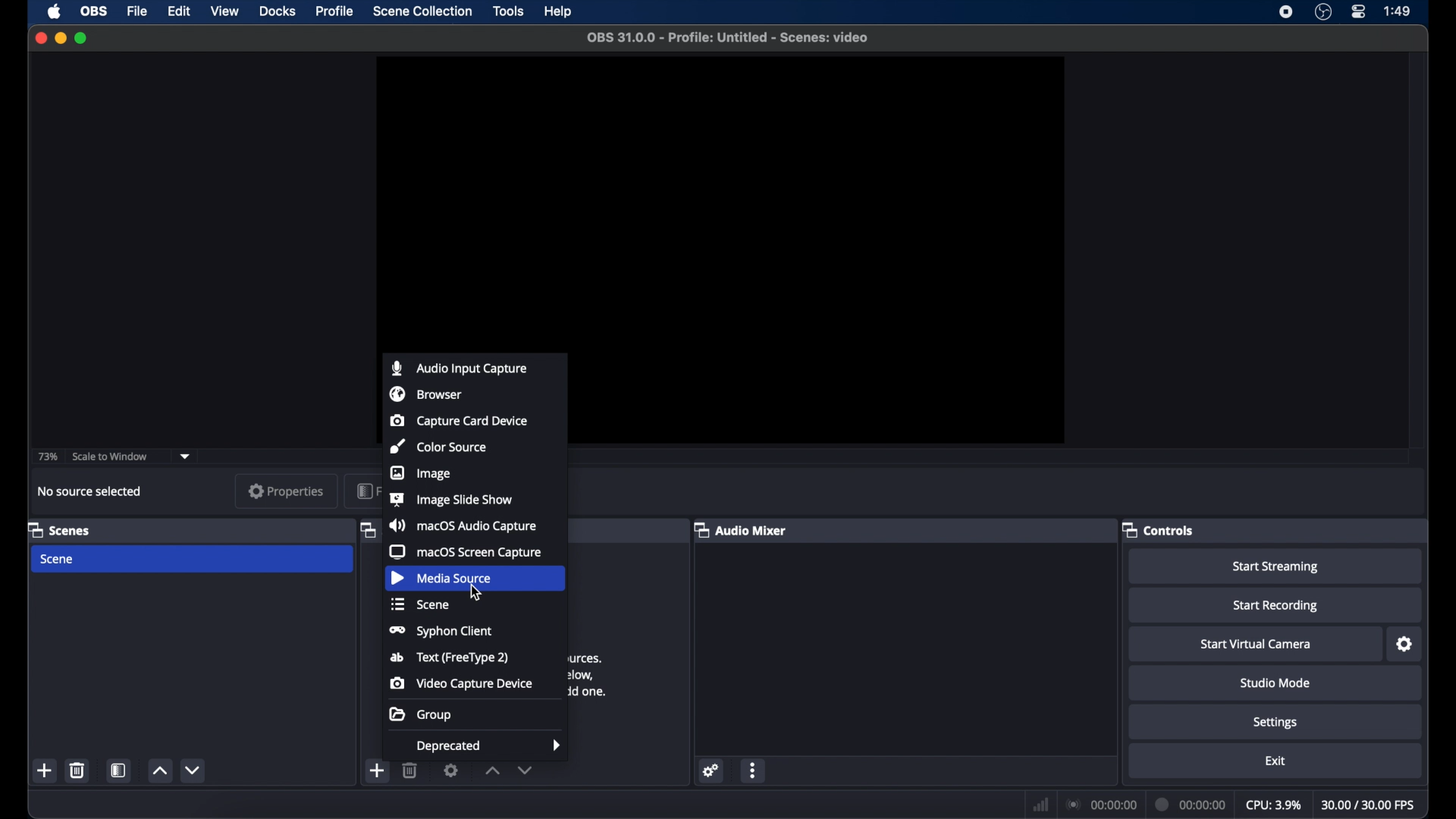  Describe the element at coordinates (1277, 605) in the screenshot. I see `start recording` at that location.